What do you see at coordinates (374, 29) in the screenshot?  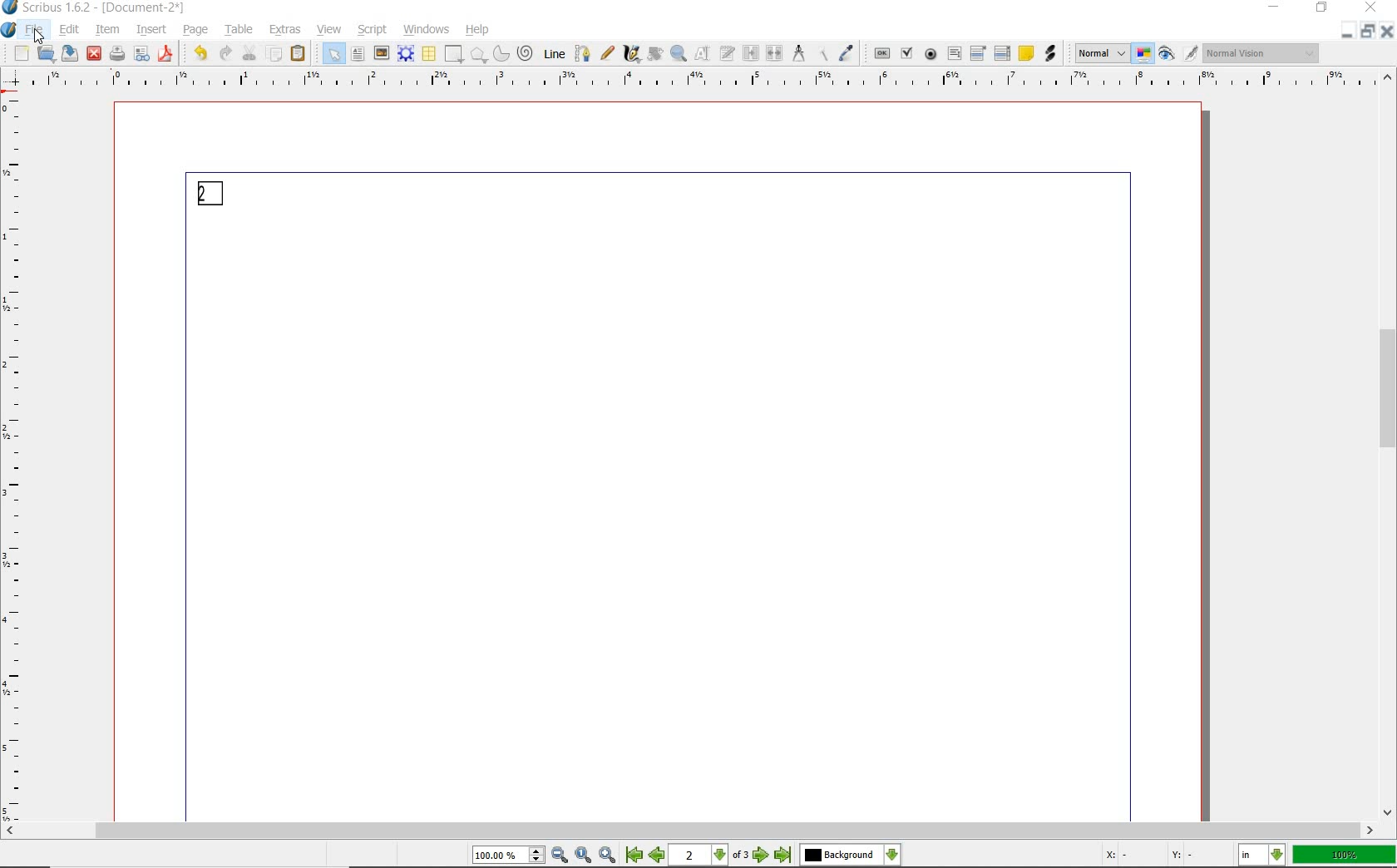 I see `script` at bounding box center [374, 29].